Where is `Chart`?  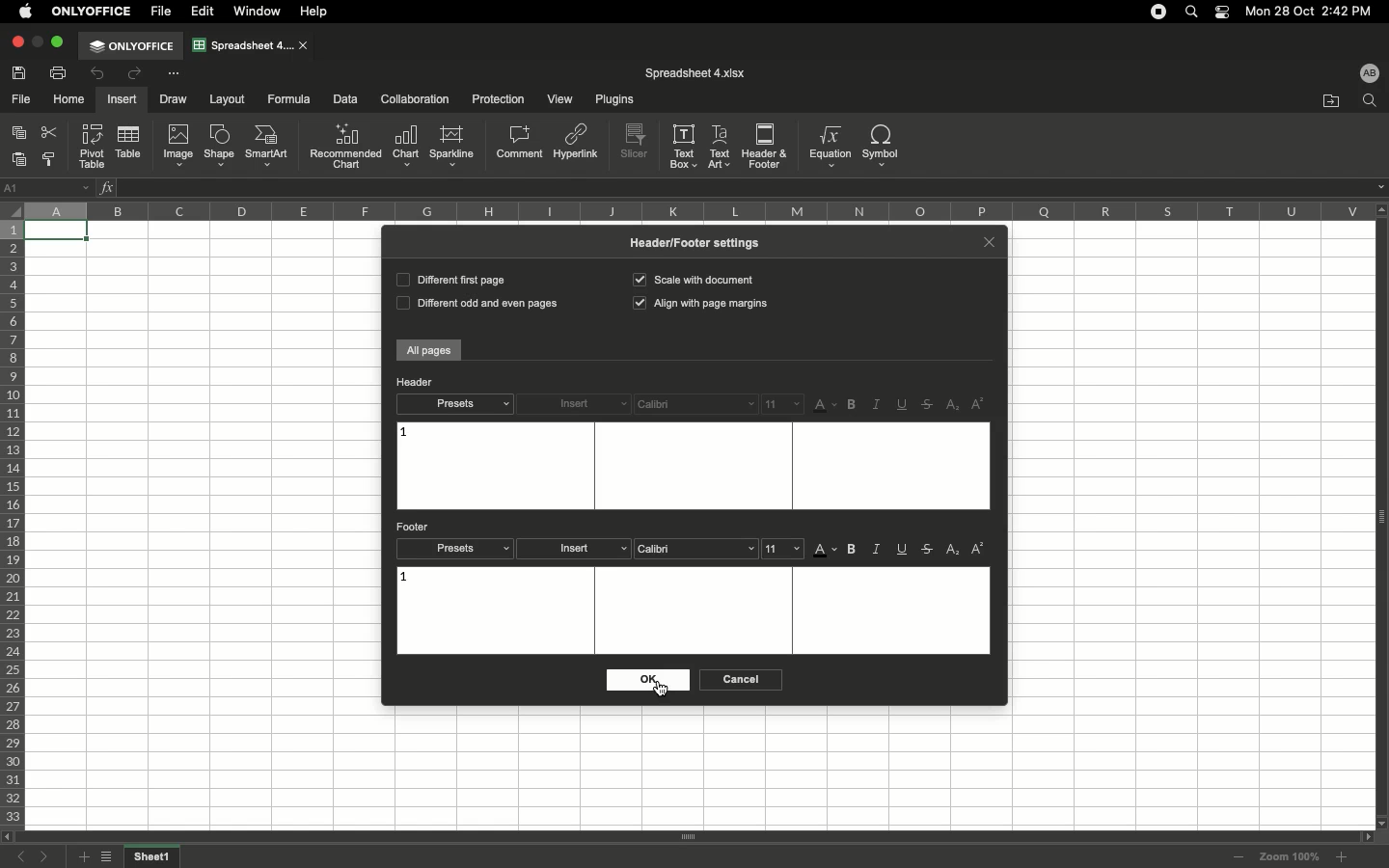 Chart is located at coordinates (406, 147).